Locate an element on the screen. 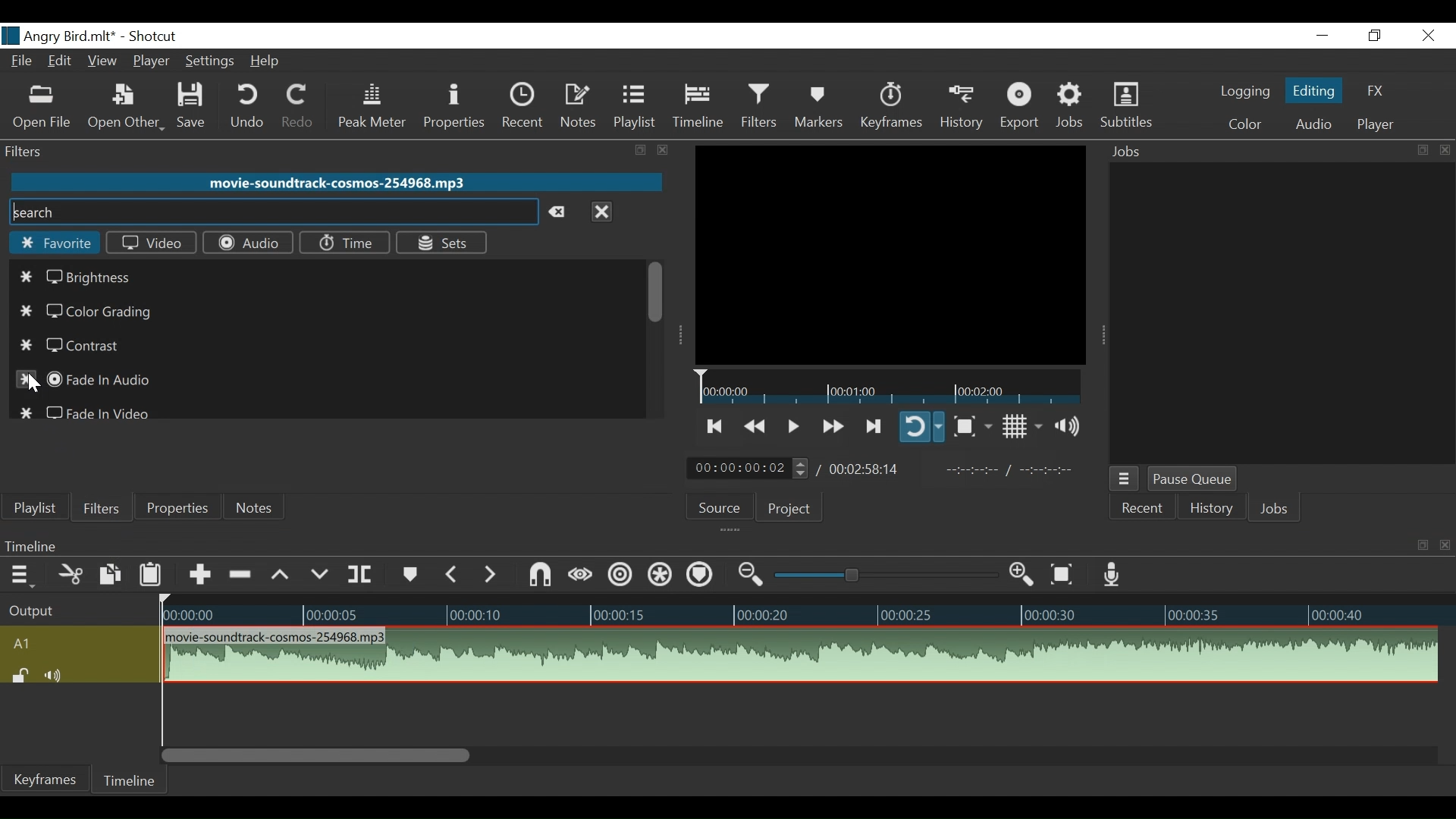 This screenshot has width=1456, height=819. Undo is located at coordinates (247, 107).